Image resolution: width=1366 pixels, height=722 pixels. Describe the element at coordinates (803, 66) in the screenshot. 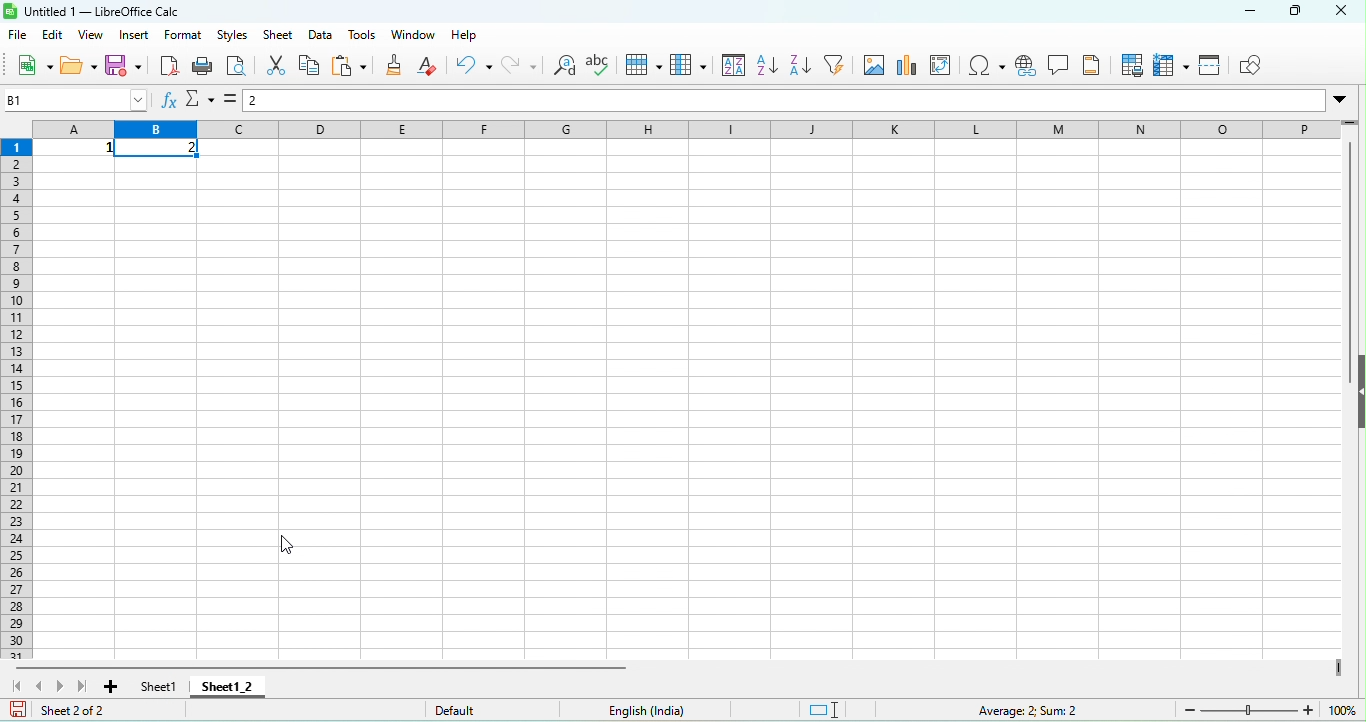

I see `sort descending` at that location.